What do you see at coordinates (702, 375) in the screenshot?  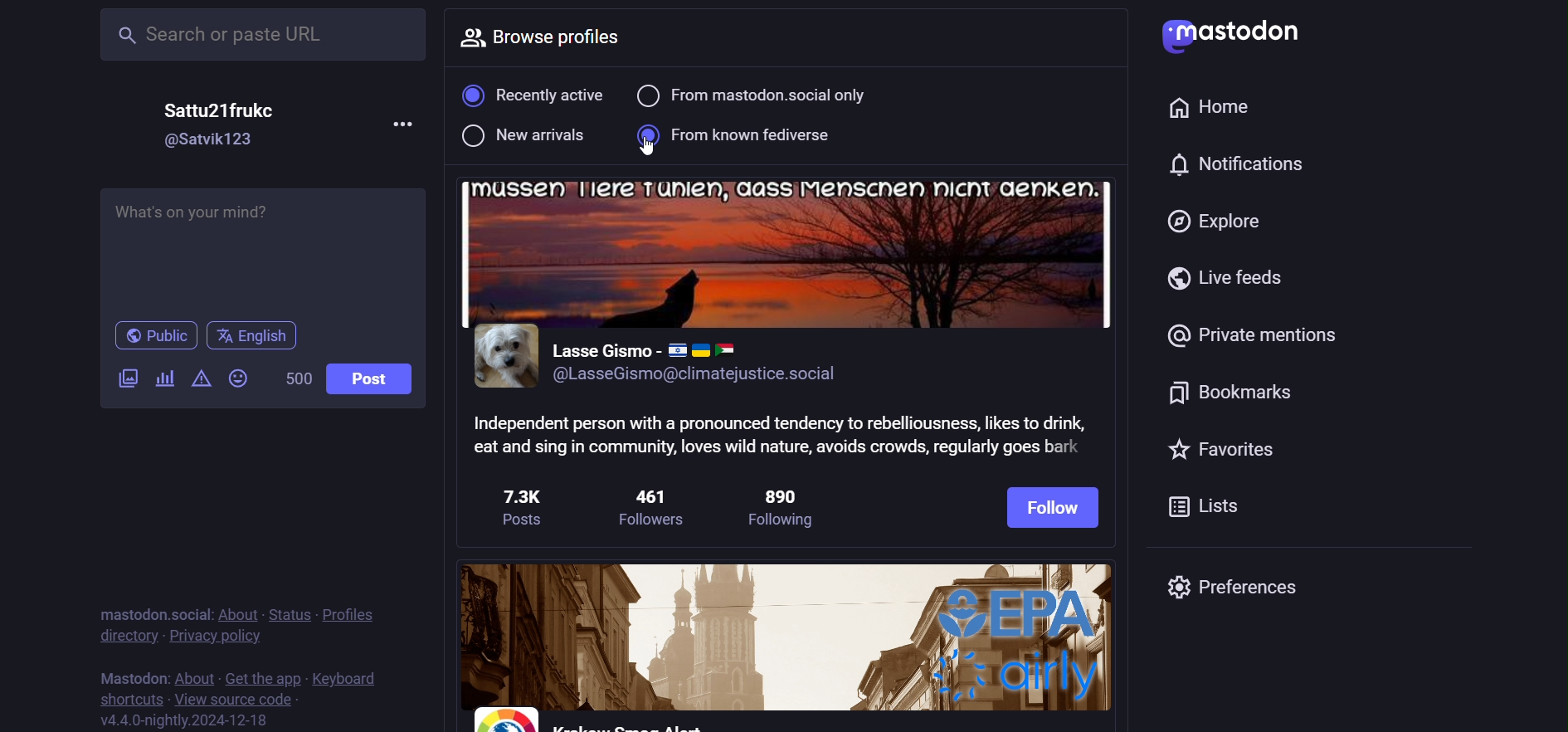 I see `@LasseGismo@climatejustice.social` at bounding box center [702, 375].